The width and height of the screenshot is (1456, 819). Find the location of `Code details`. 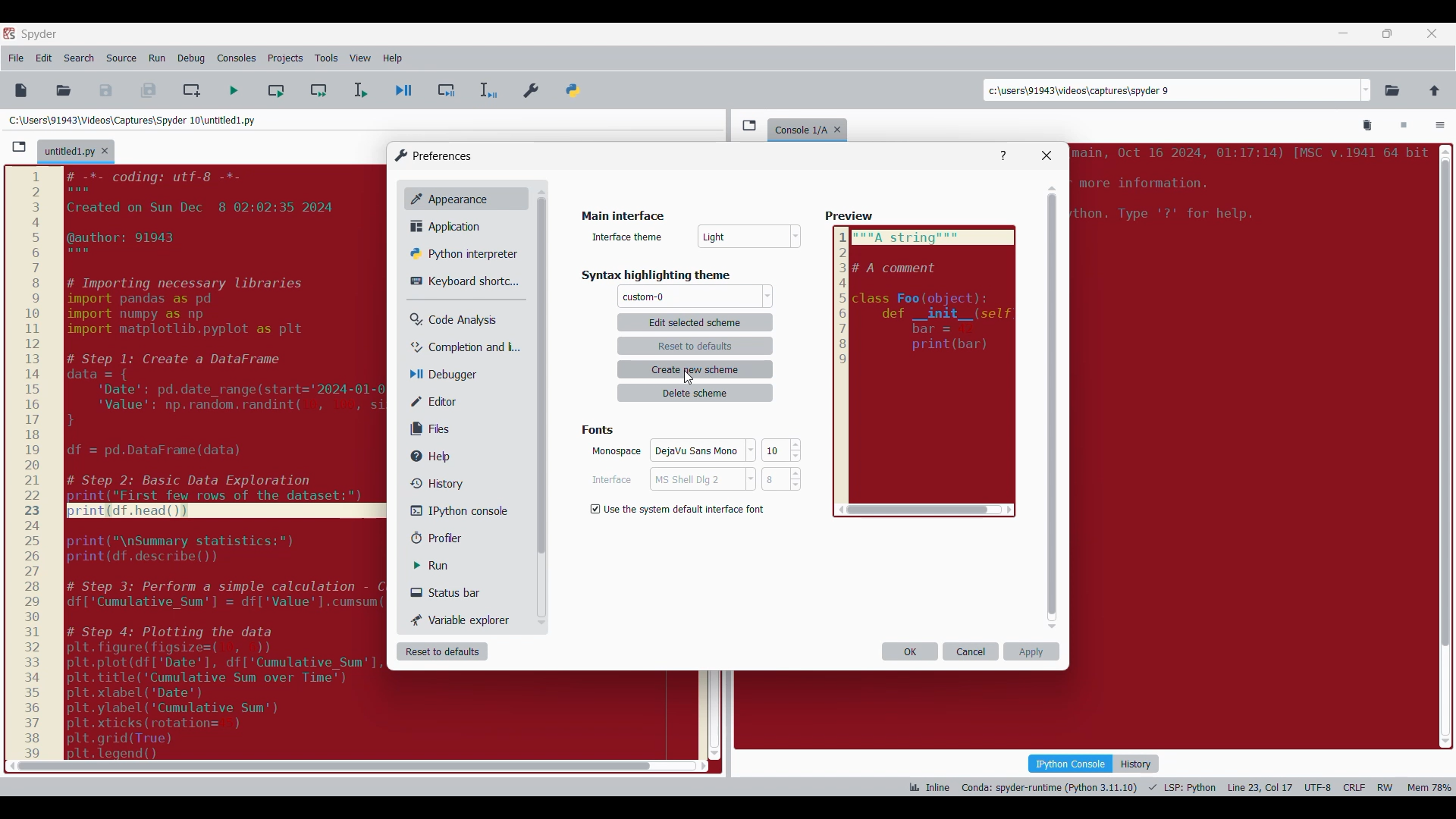

Code details is located at coordinates (1178, 787).